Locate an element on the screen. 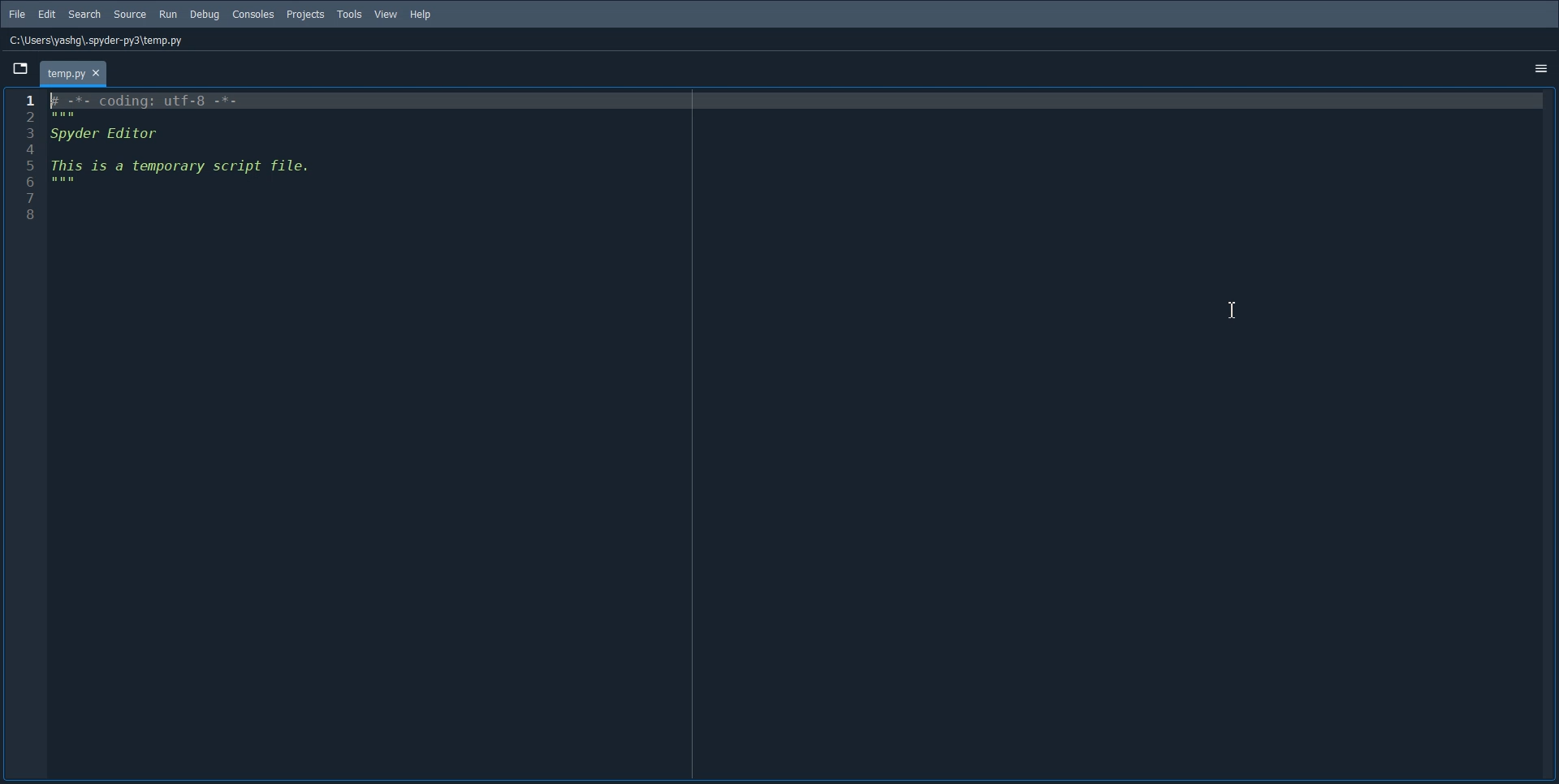 This screenshot has width=1559, height=784. Run is located at coordinates (168, 13).